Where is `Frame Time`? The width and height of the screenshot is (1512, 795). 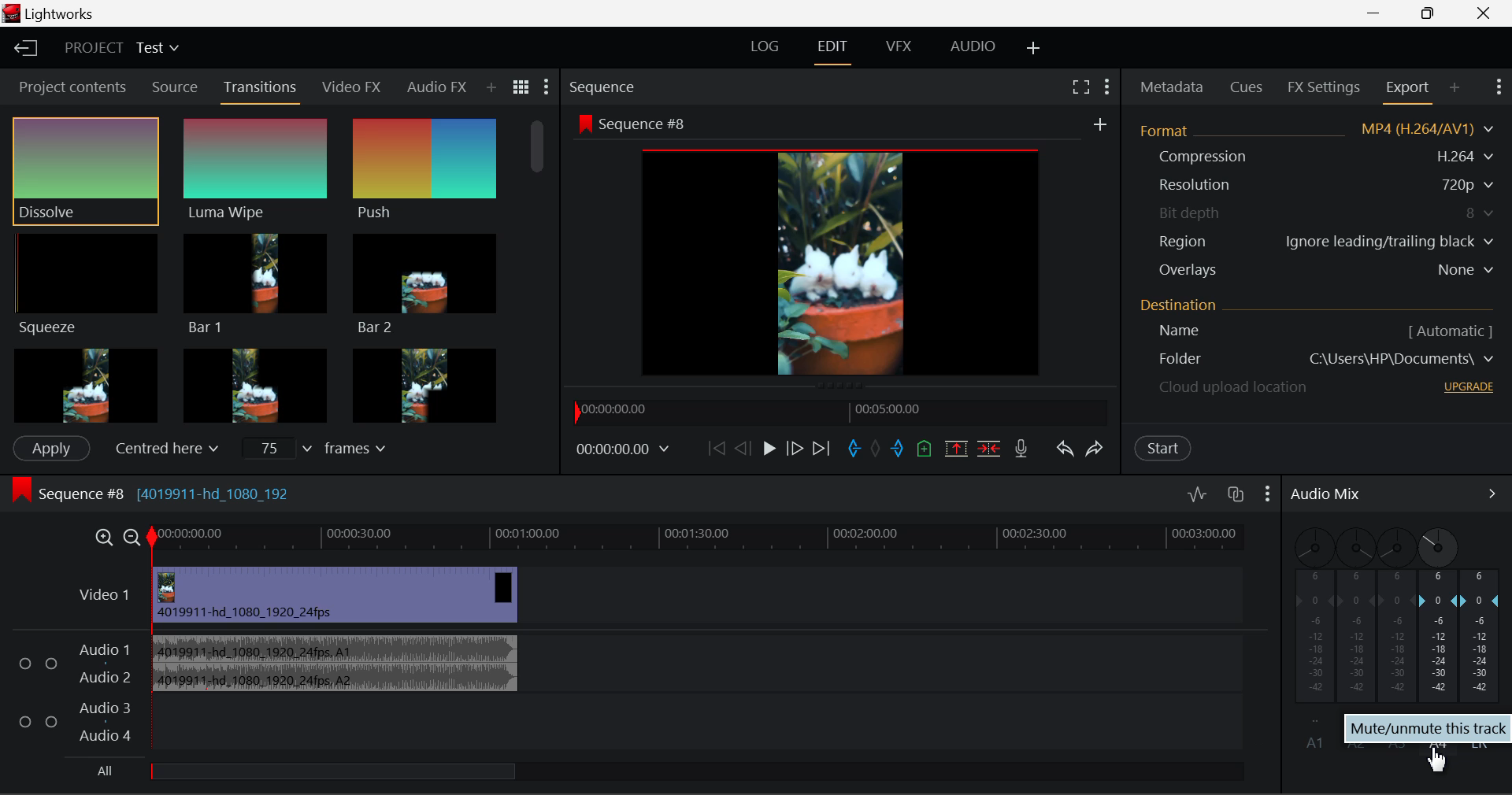
Frame Time is located at coordinates (625, 449).